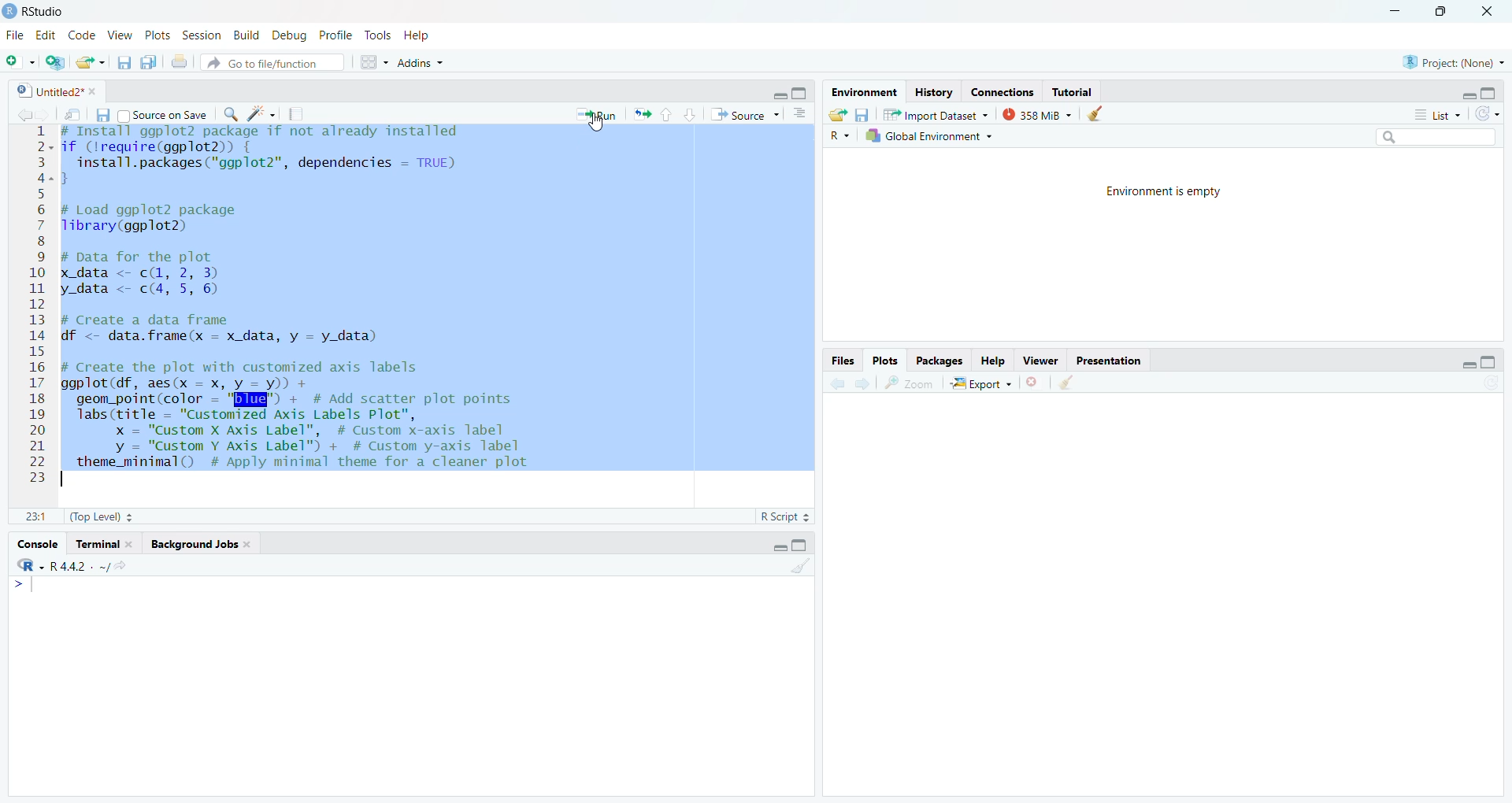 Image resolution: width=1512 pixels, height=803 pixels. I want to click on Profile, so click(335, 33).